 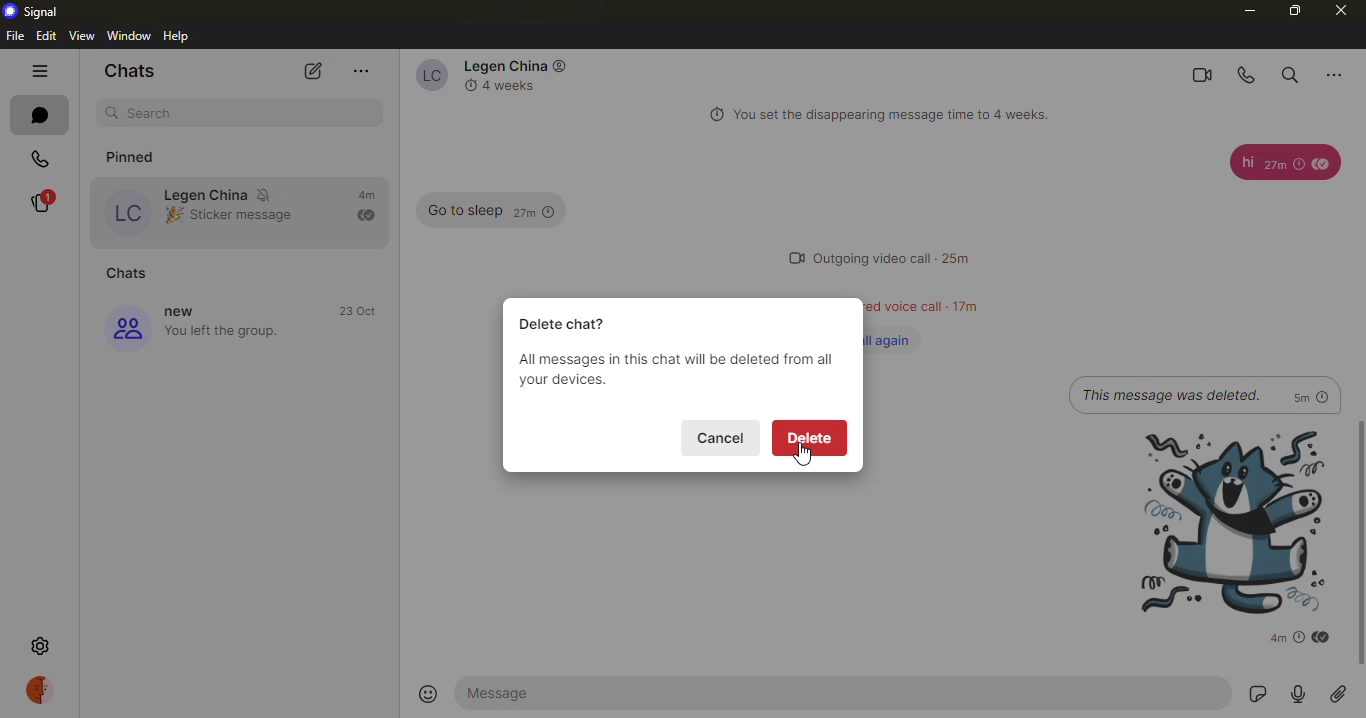 I want to click on cancel, so click(x=724, y=437).